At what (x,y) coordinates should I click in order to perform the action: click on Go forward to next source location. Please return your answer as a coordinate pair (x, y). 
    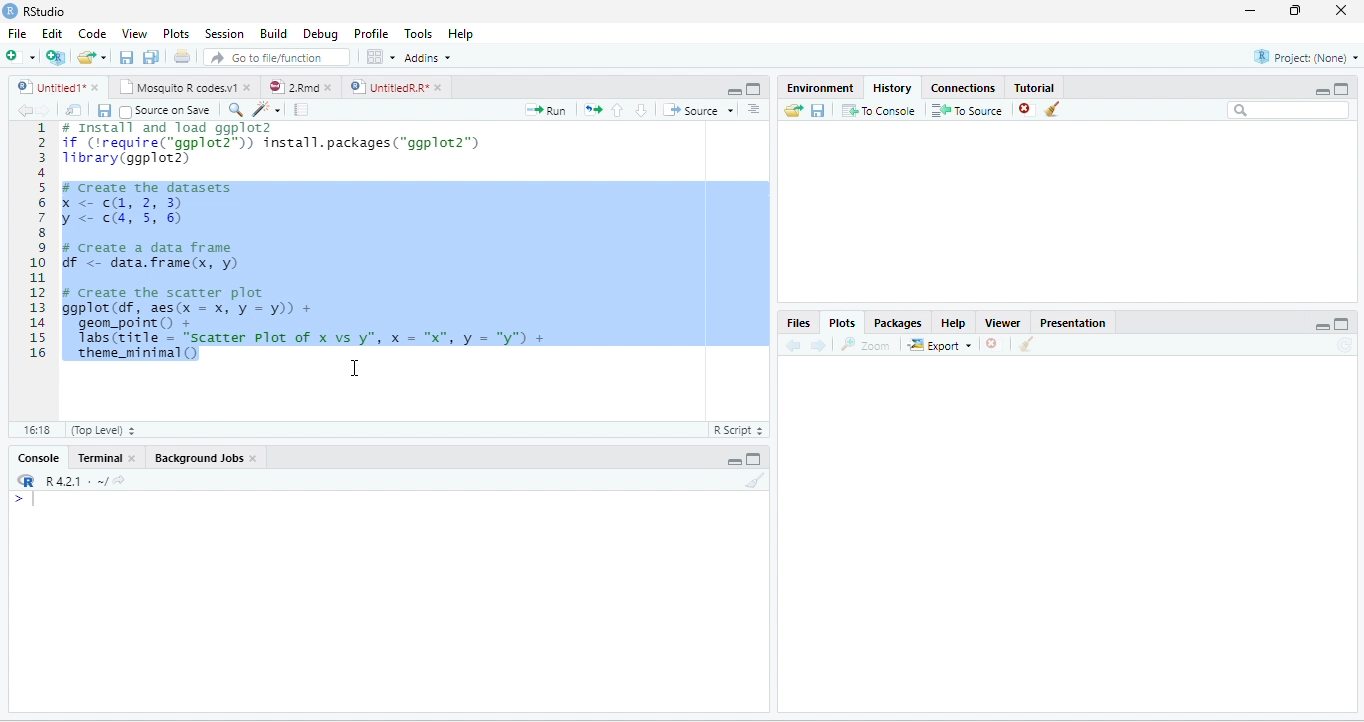
    Looking at the image, I should click on (44, 111).